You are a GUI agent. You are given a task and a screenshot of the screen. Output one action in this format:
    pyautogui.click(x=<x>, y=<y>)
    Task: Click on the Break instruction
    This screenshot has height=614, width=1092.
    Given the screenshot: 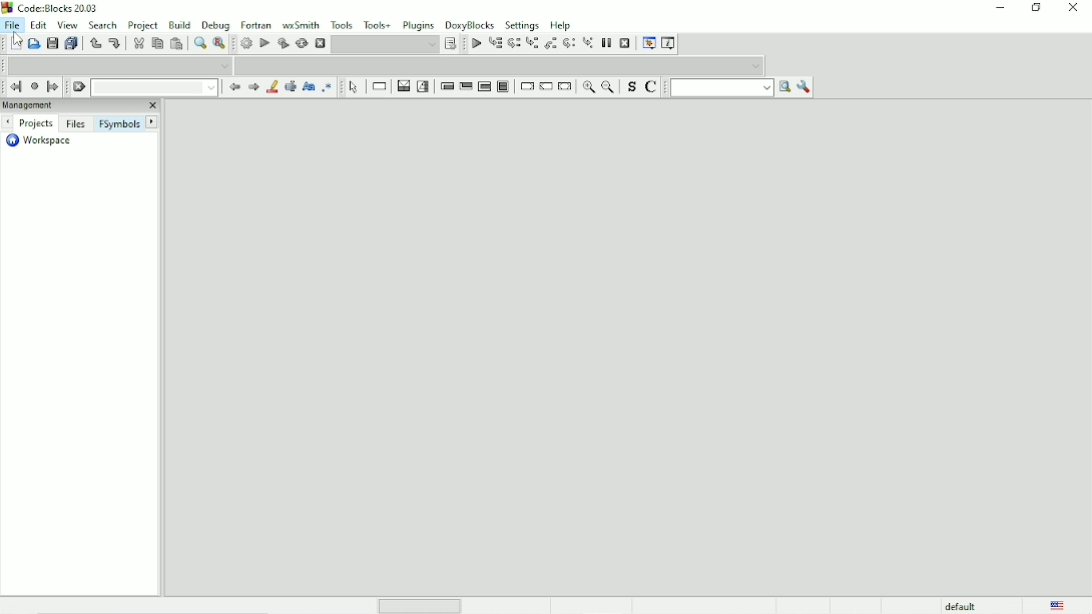 What is the action you would take?
    pyautogui.click(x=525, y=86)
    